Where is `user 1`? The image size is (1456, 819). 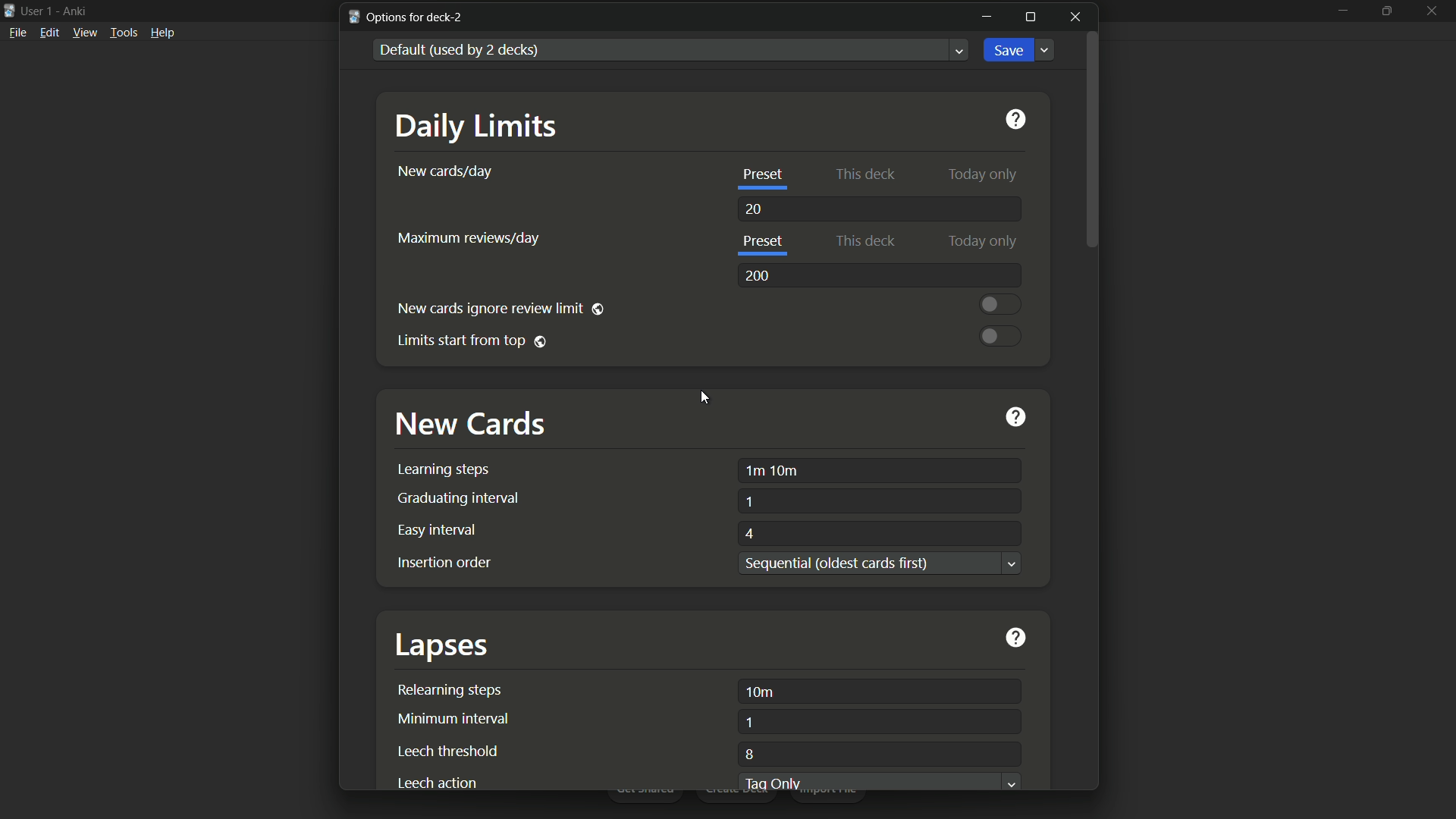 user 1 is located at coordinates (38, 11).